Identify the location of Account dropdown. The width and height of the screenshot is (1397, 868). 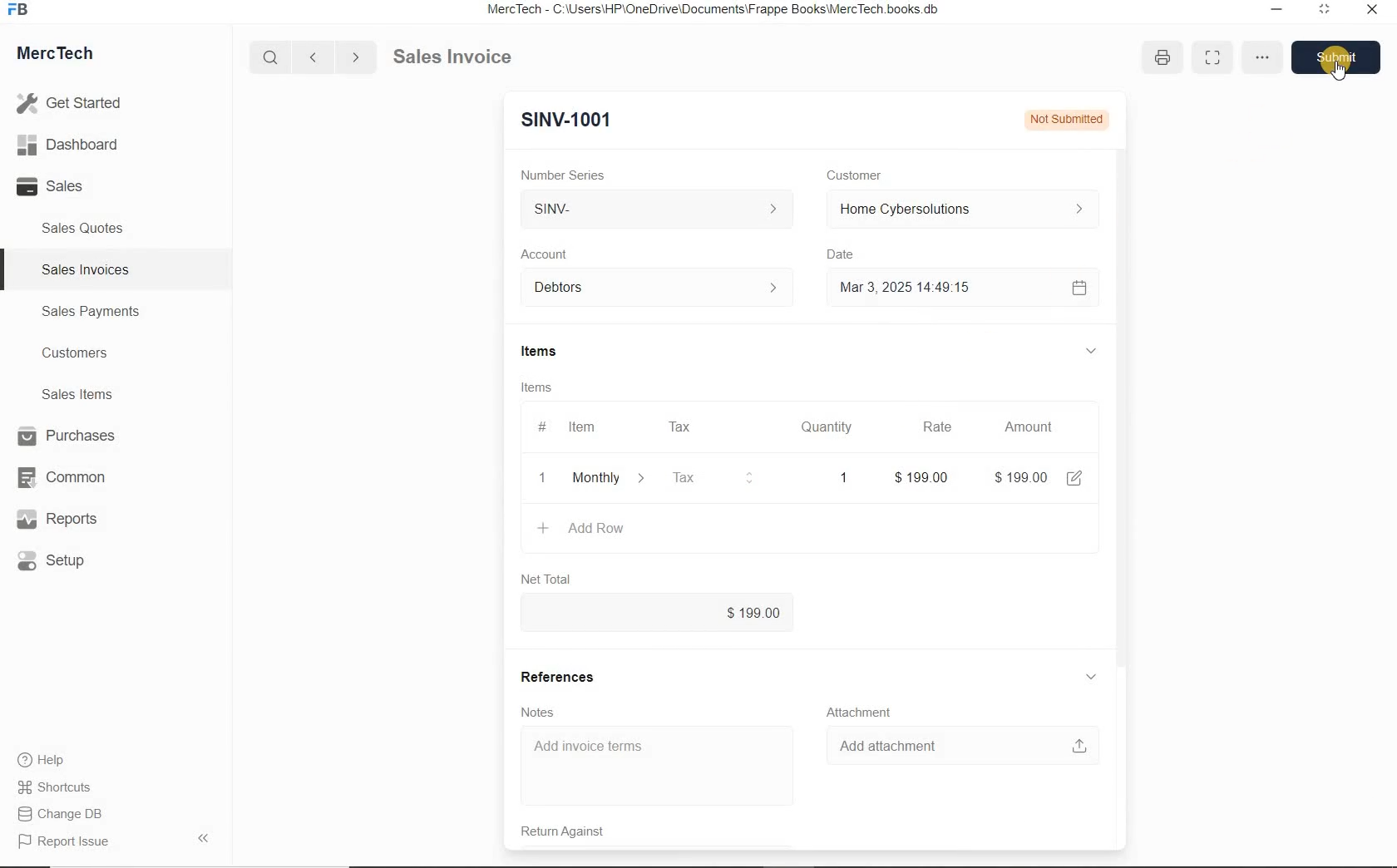
(659, 289).